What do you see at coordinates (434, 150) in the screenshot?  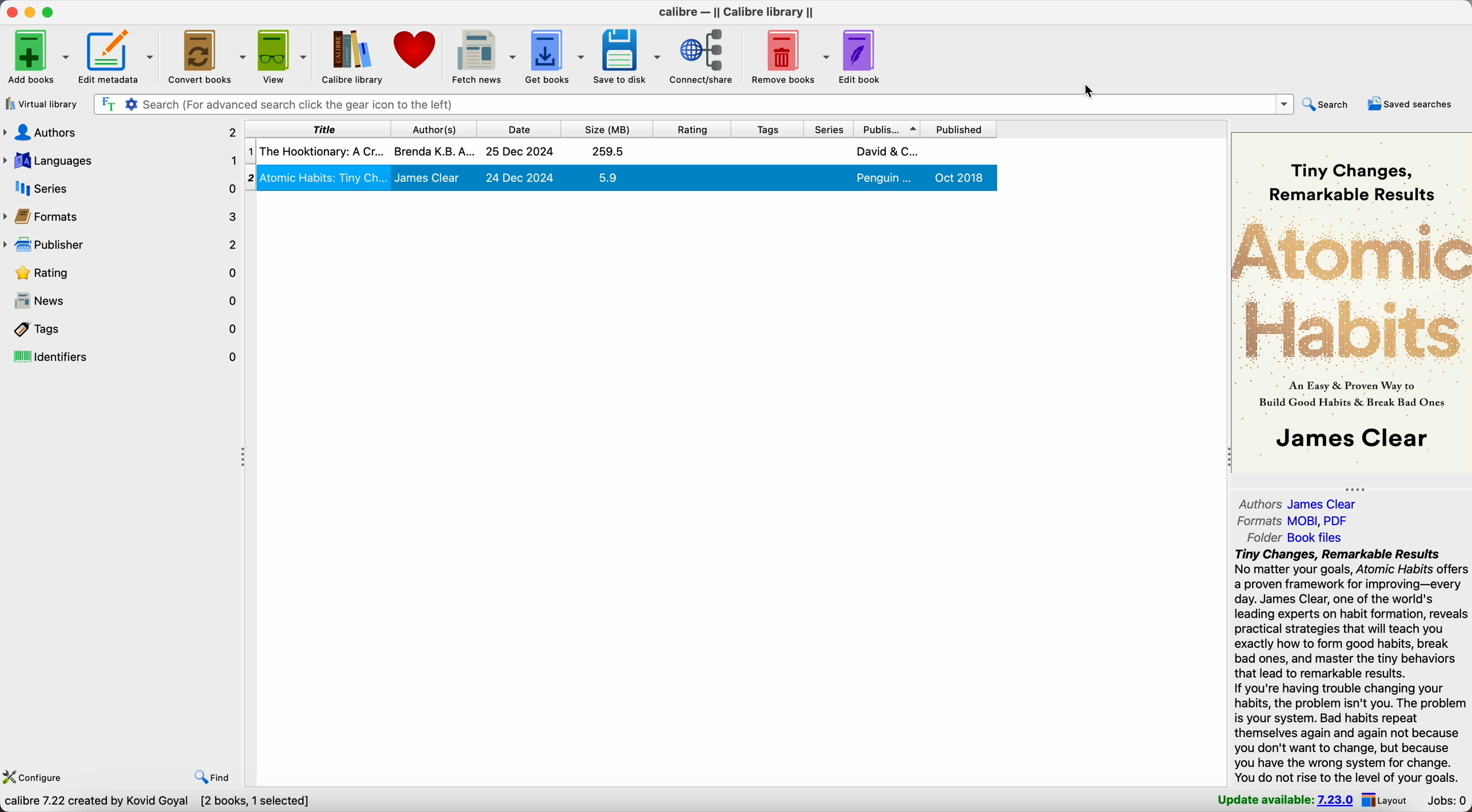 I see `Brenda K.B.A.` at bounding box center [434, 150].